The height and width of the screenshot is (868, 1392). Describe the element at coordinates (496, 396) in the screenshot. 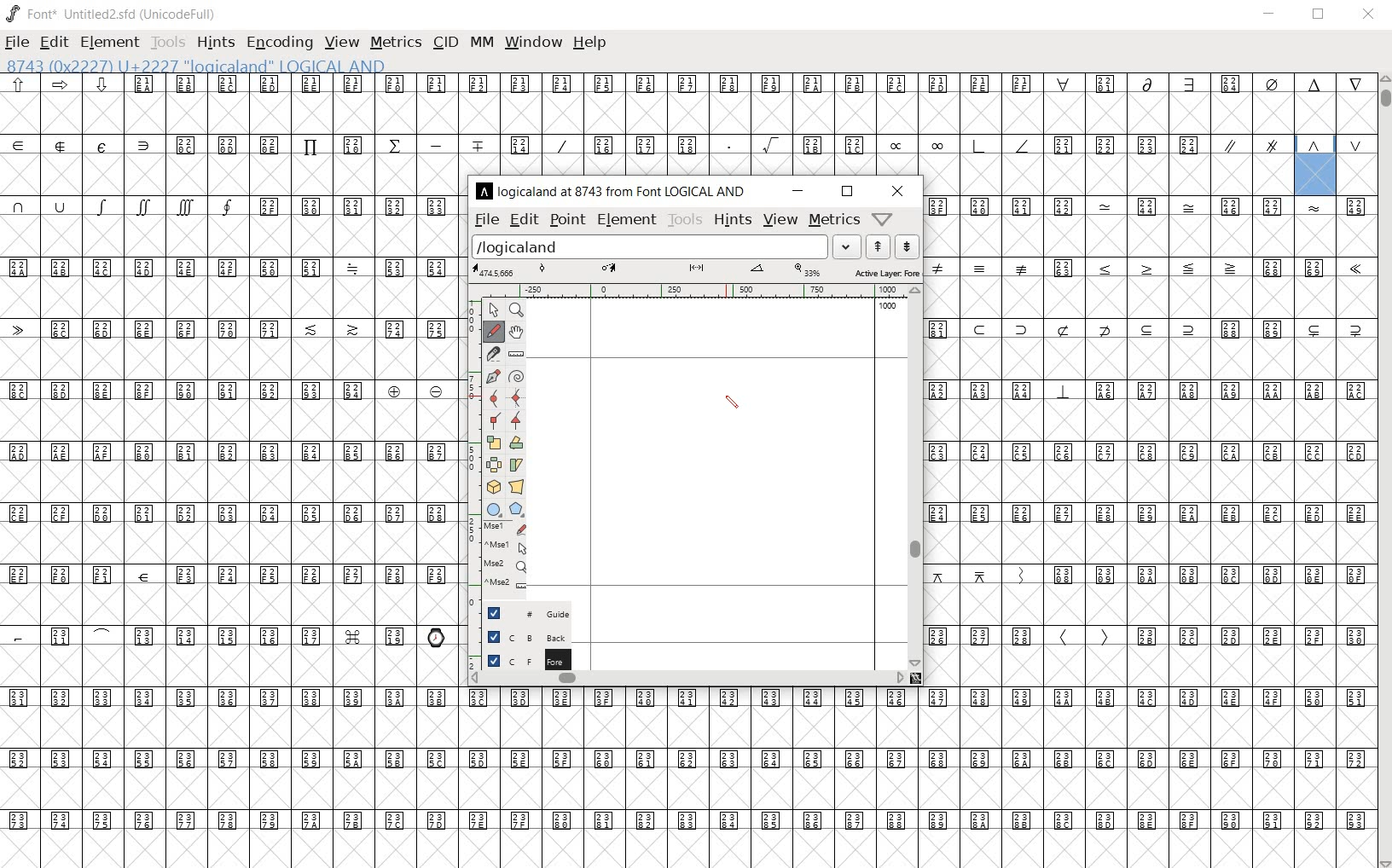

I see `add a curve point always either horizontal or vertical` at that location.